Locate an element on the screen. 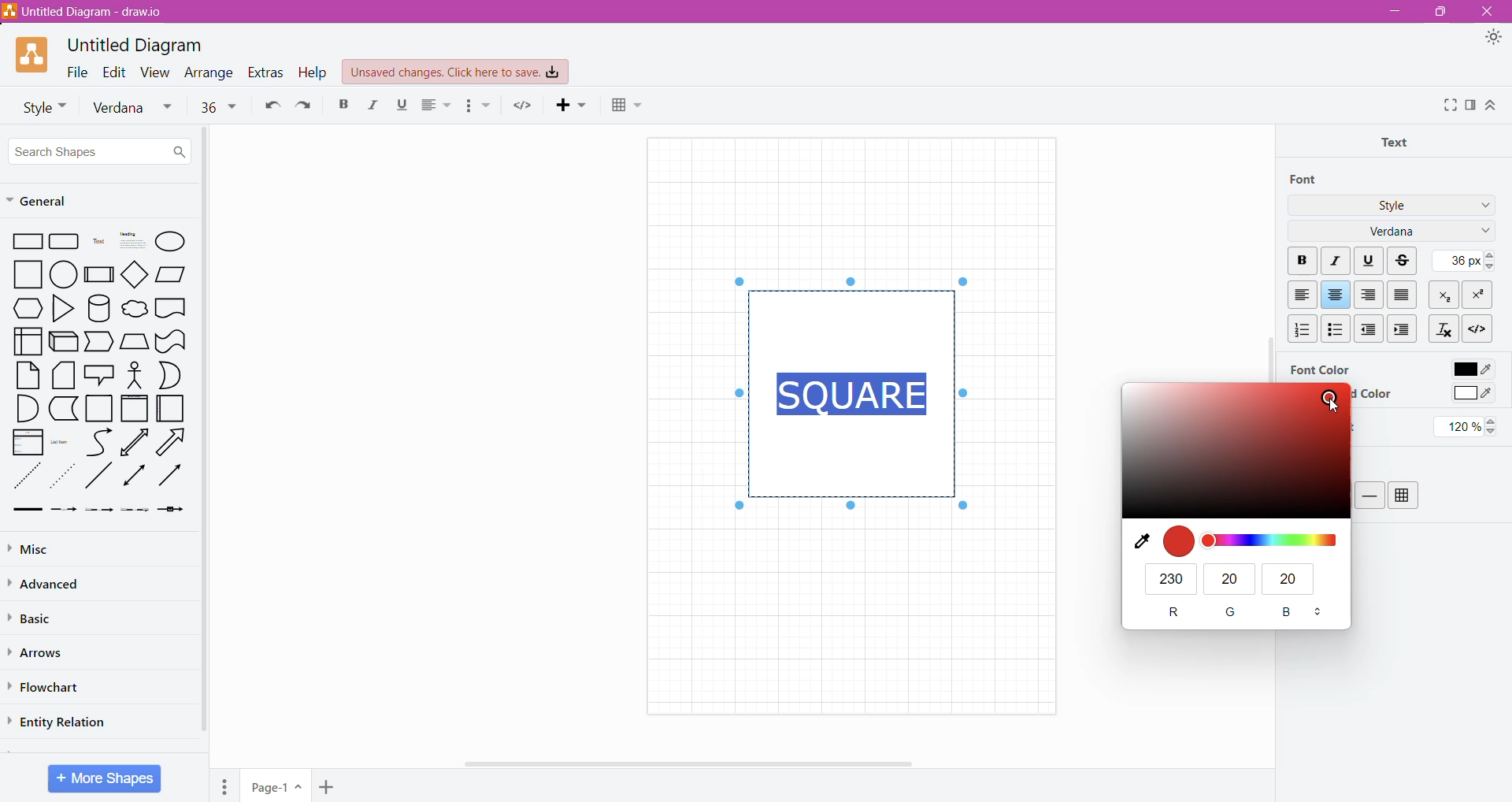 The image size is (1512, 802). Parallelogram  is located at coordinates (171, 273).